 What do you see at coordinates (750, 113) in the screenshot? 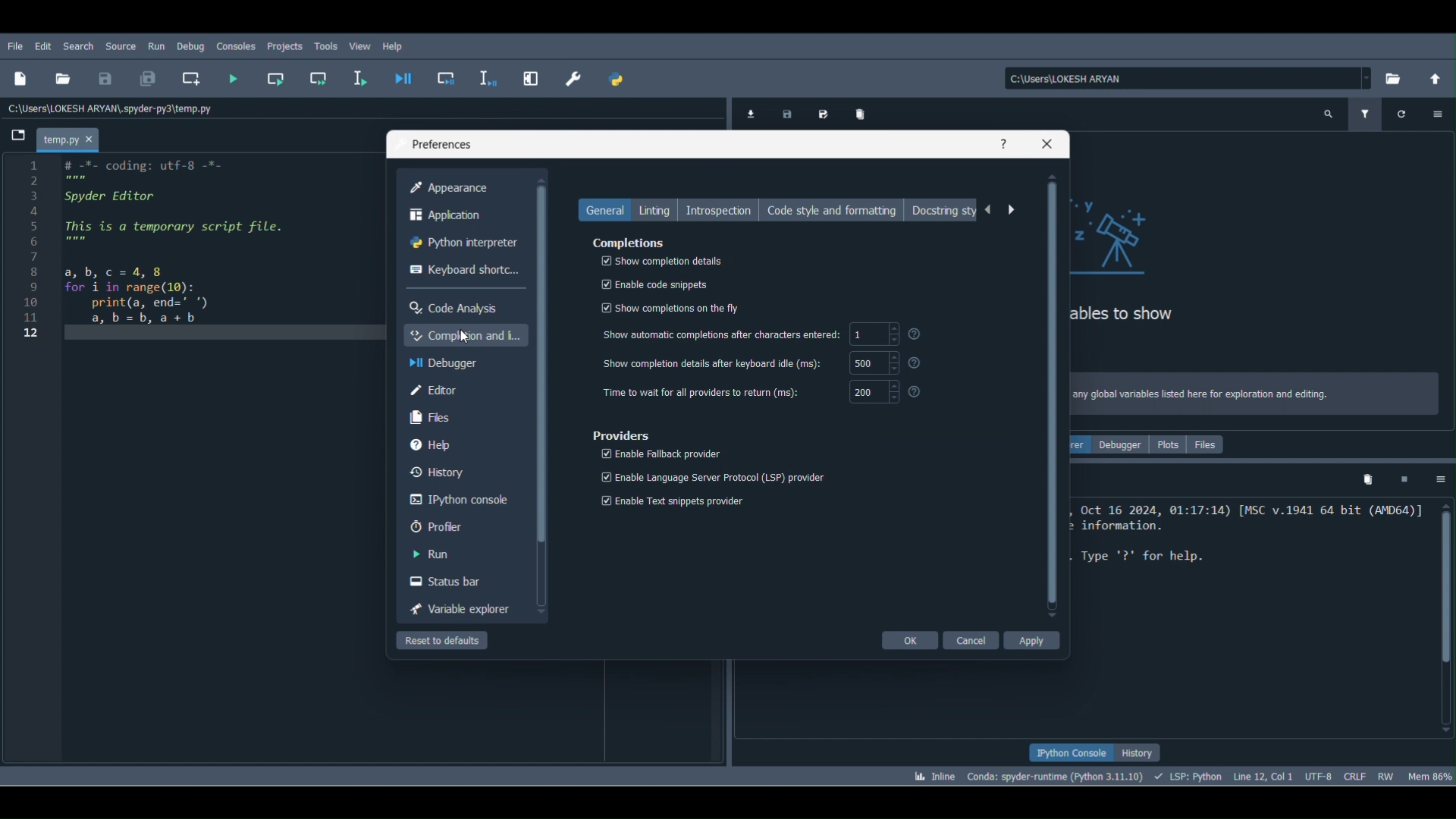
I see `Import data` at bounding box center [750, 113].